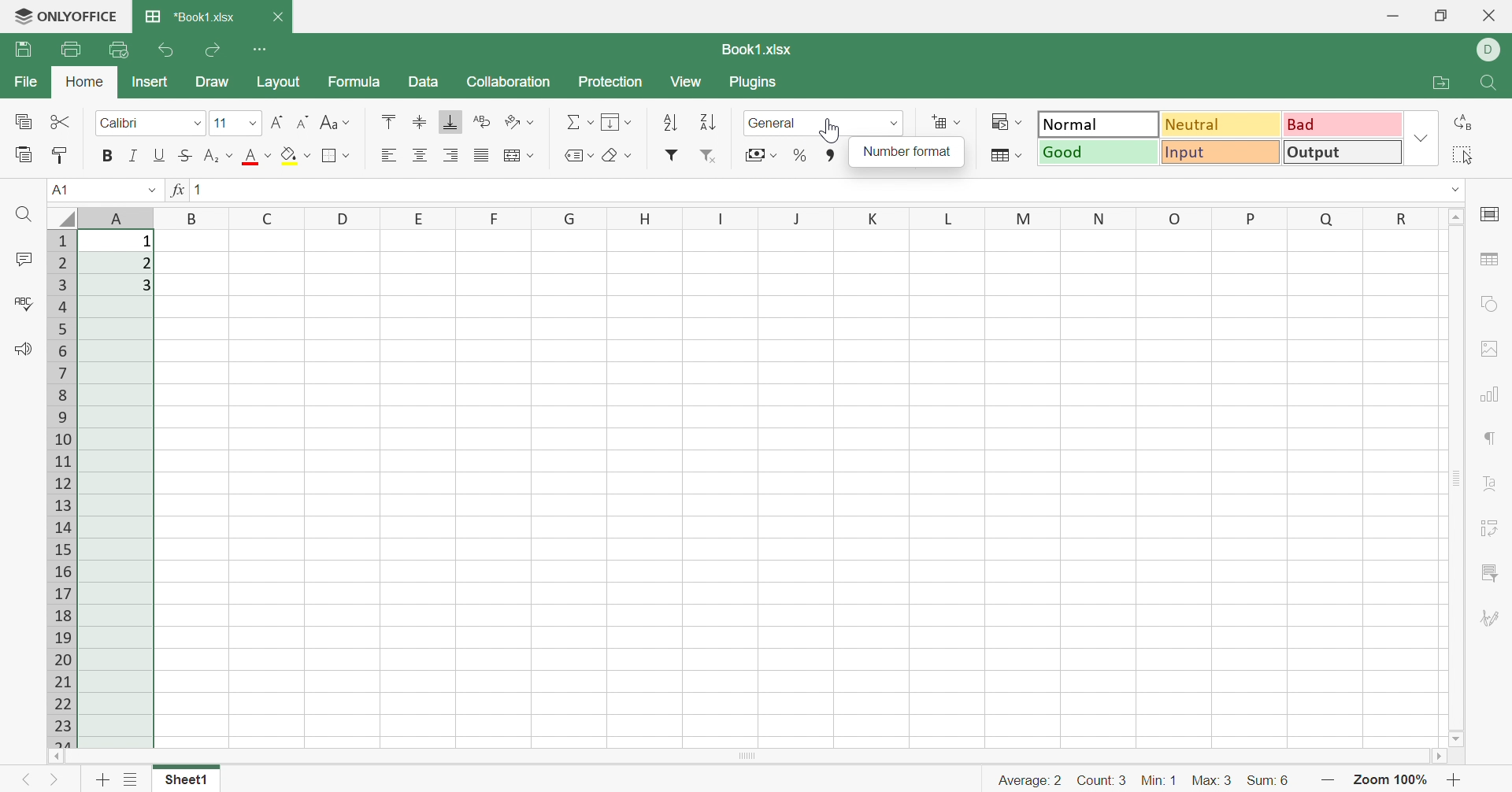 The height and width of the screenshot is (792, 1512). What do you see at coordinates (255, 157) in the screenshot?
I see `Font` at bounding box center [255, 157].